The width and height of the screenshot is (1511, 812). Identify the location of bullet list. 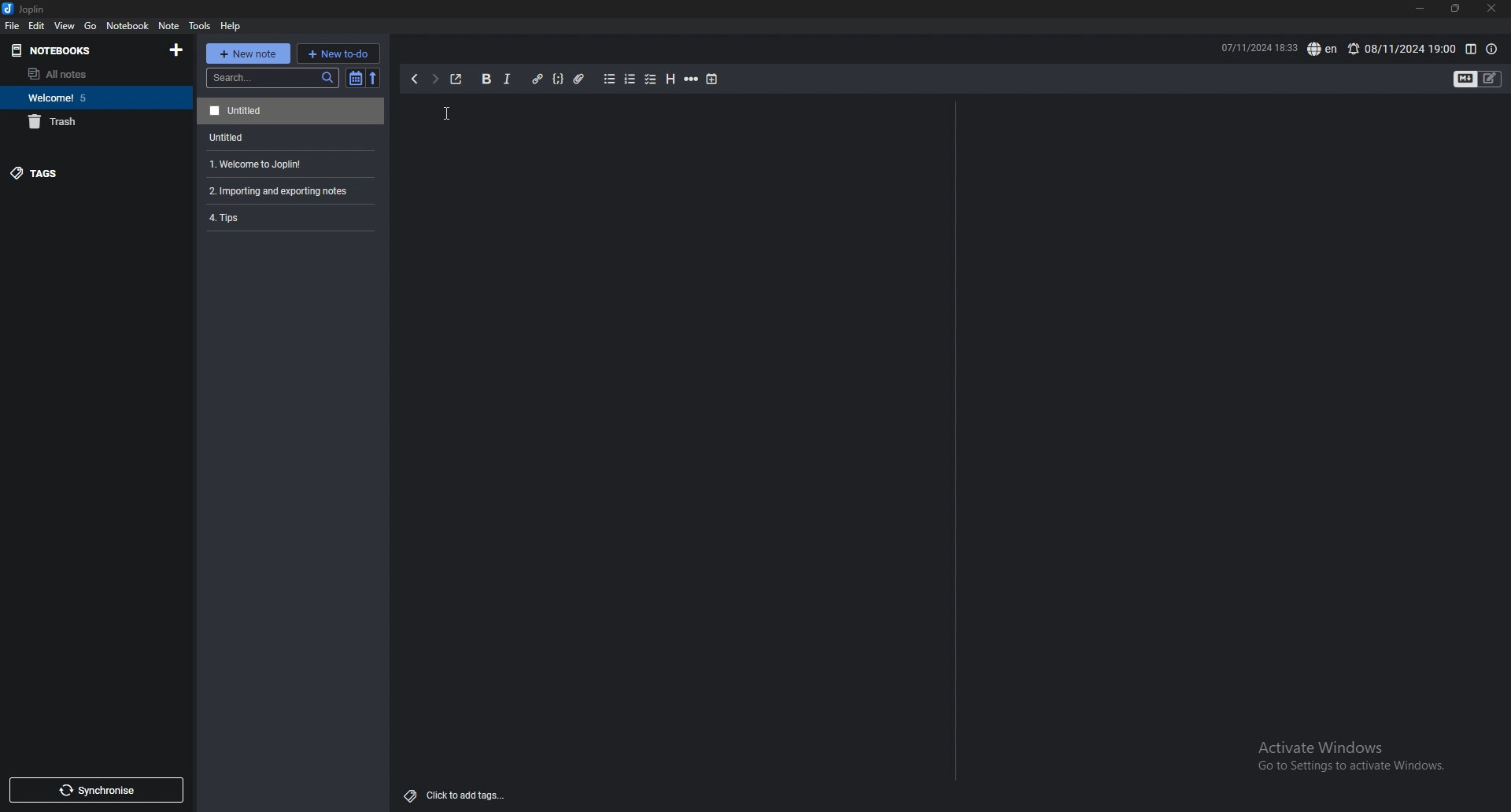
(609, 79).